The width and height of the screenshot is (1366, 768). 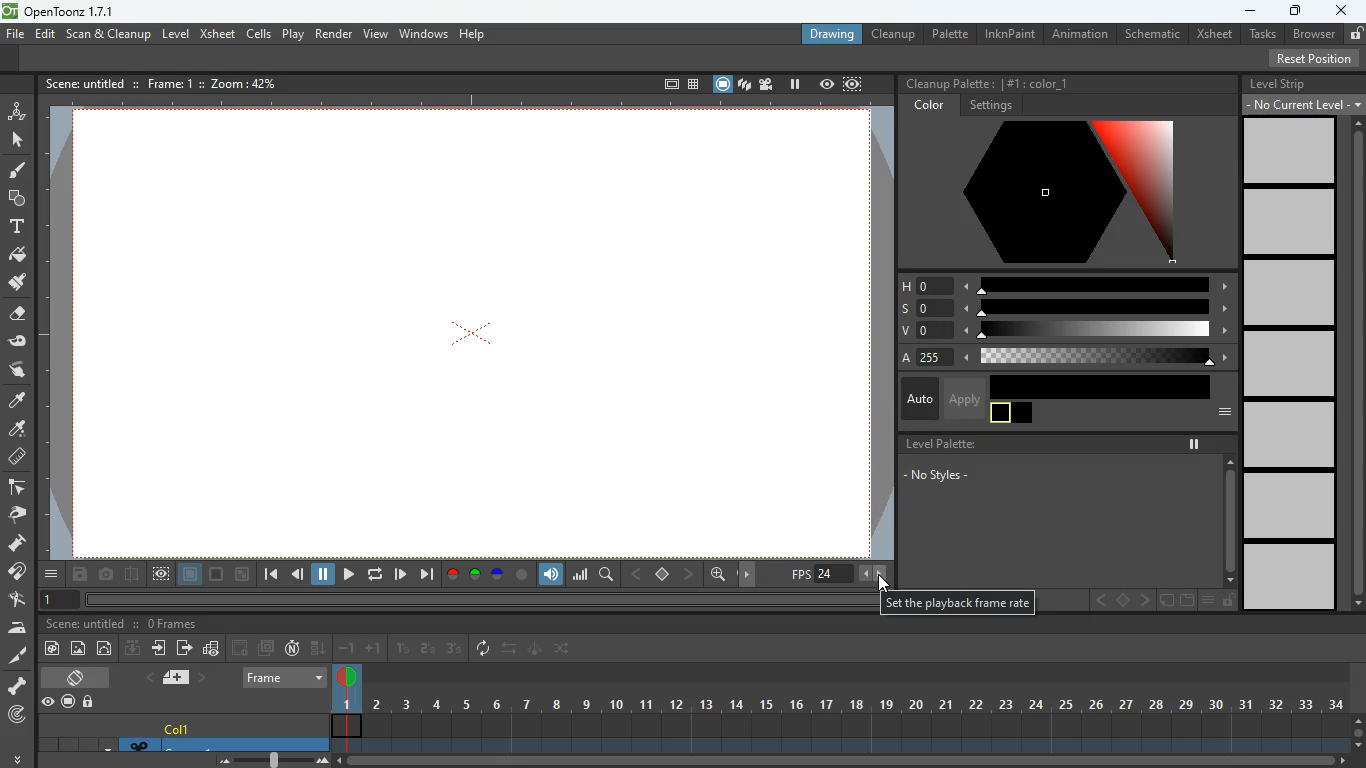 I want to click on level palette, so click(x=943, y=444).